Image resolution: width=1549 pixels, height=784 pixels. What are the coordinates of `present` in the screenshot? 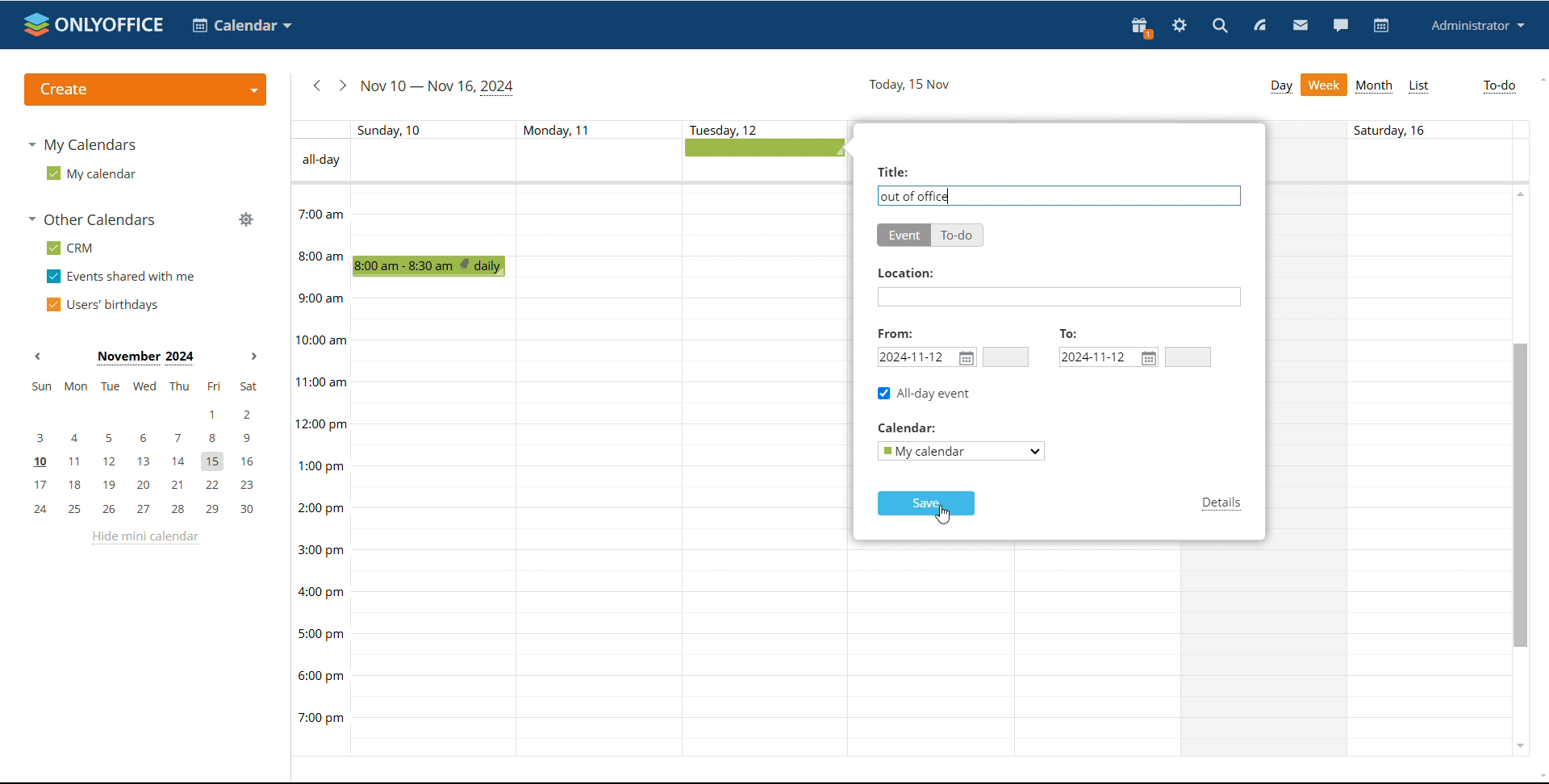 It's located at (1142, 28).